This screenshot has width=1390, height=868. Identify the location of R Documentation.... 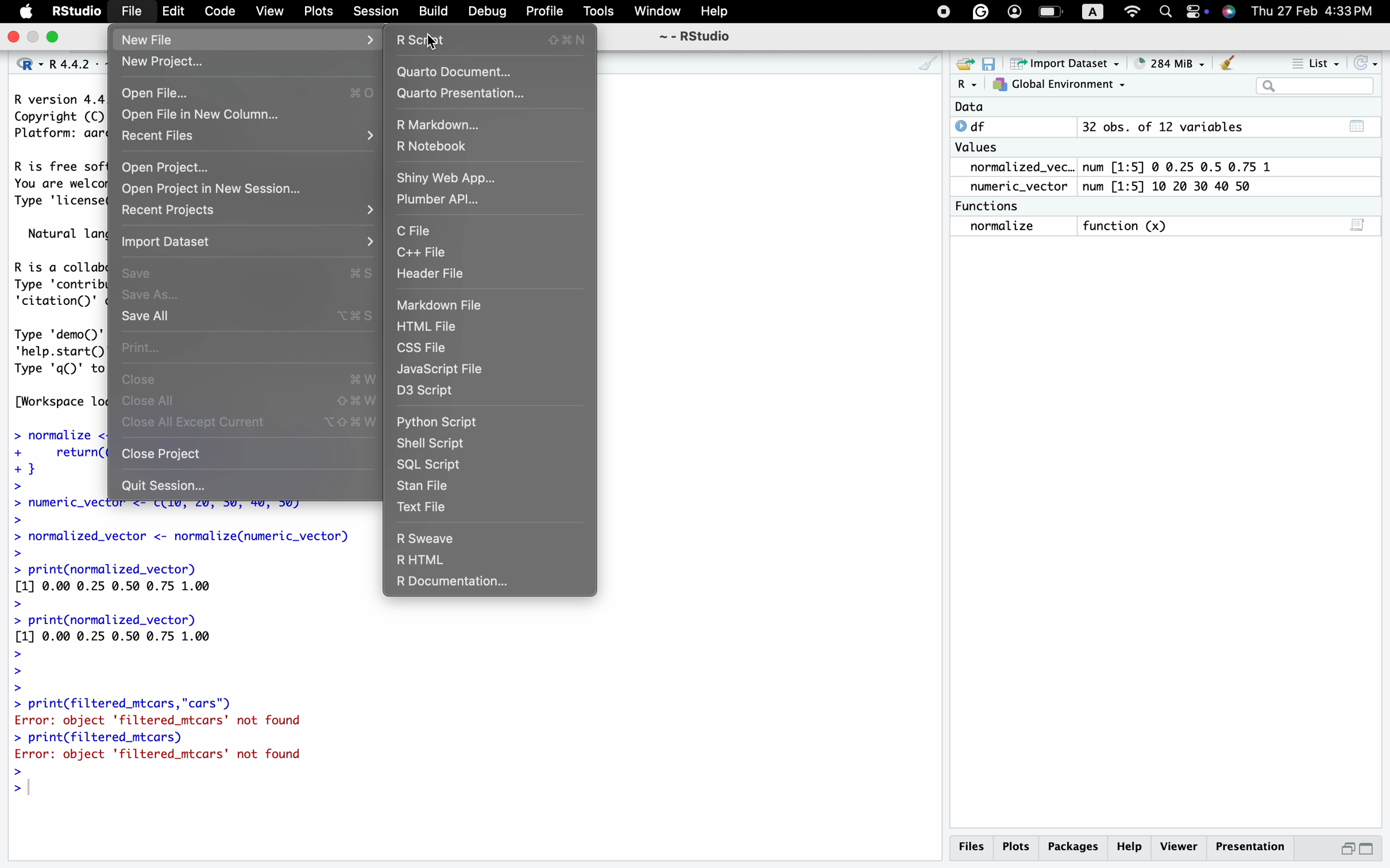
(451, 584).